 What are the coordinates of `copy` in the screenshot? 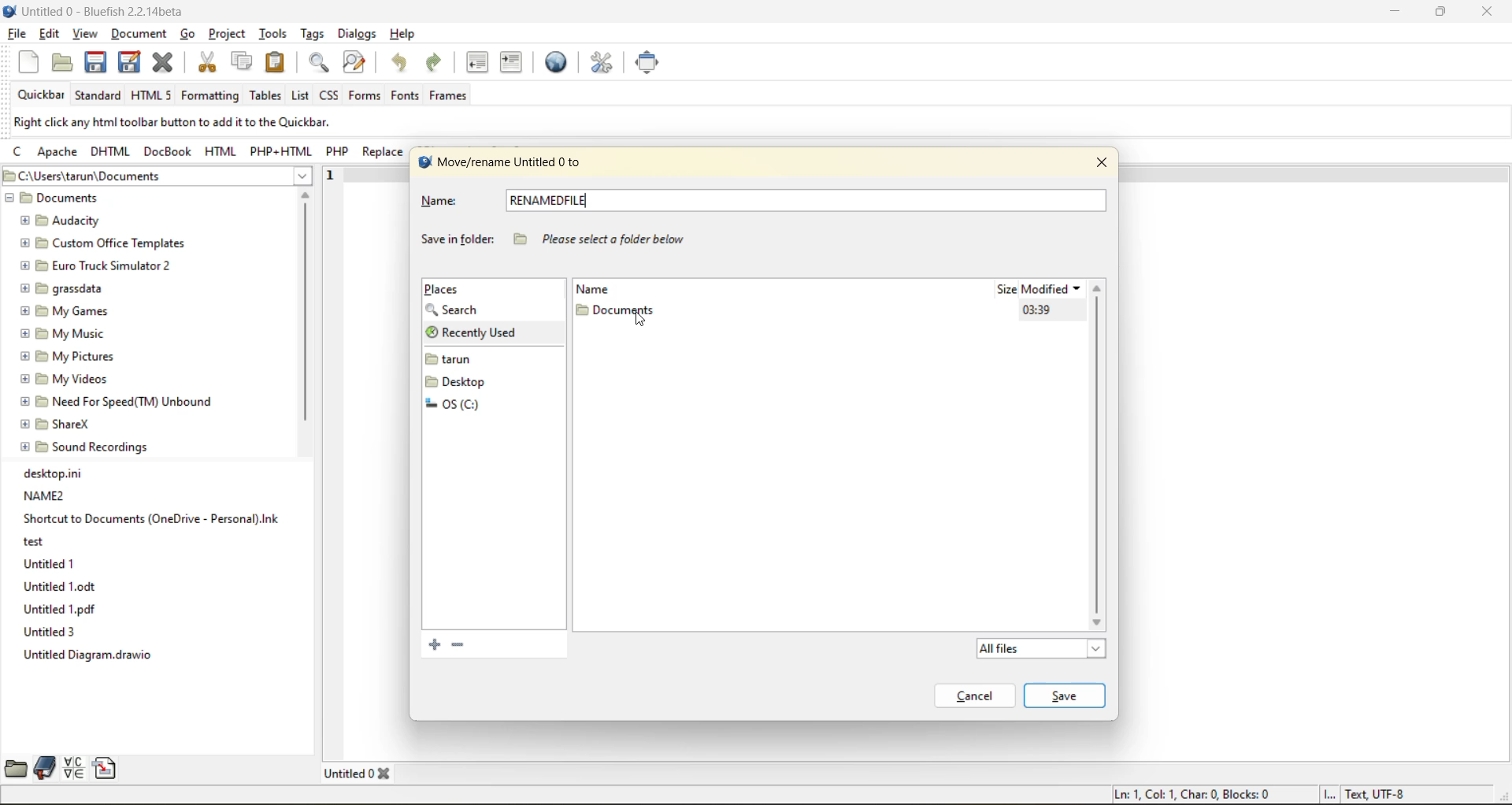 It's located at (242, 62).